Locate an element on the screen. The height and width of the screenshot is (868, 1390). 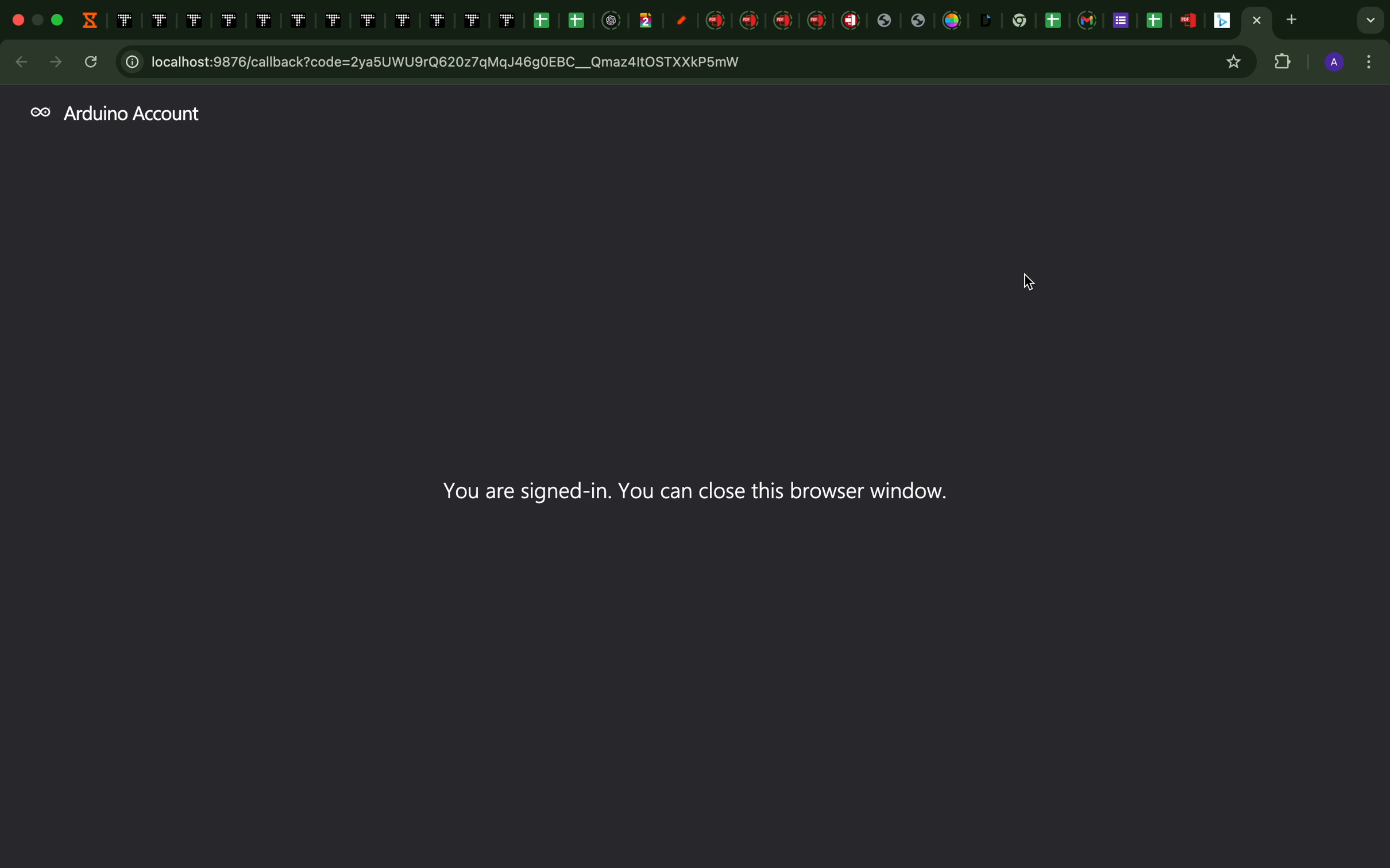
Extension  is located at coordinates (1287, 64).